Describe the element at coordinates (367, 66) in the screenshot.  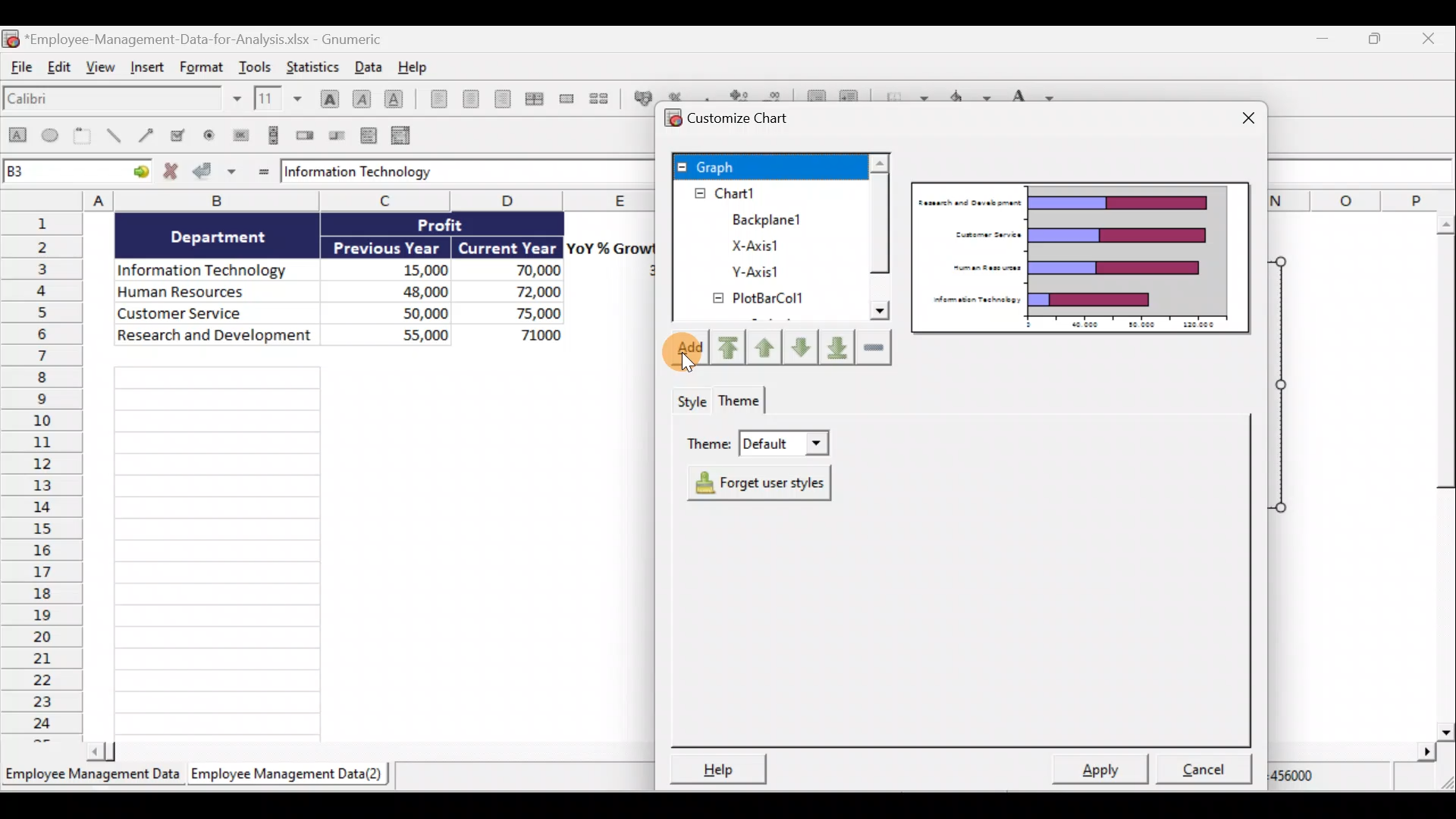
I see `Data` at that location.